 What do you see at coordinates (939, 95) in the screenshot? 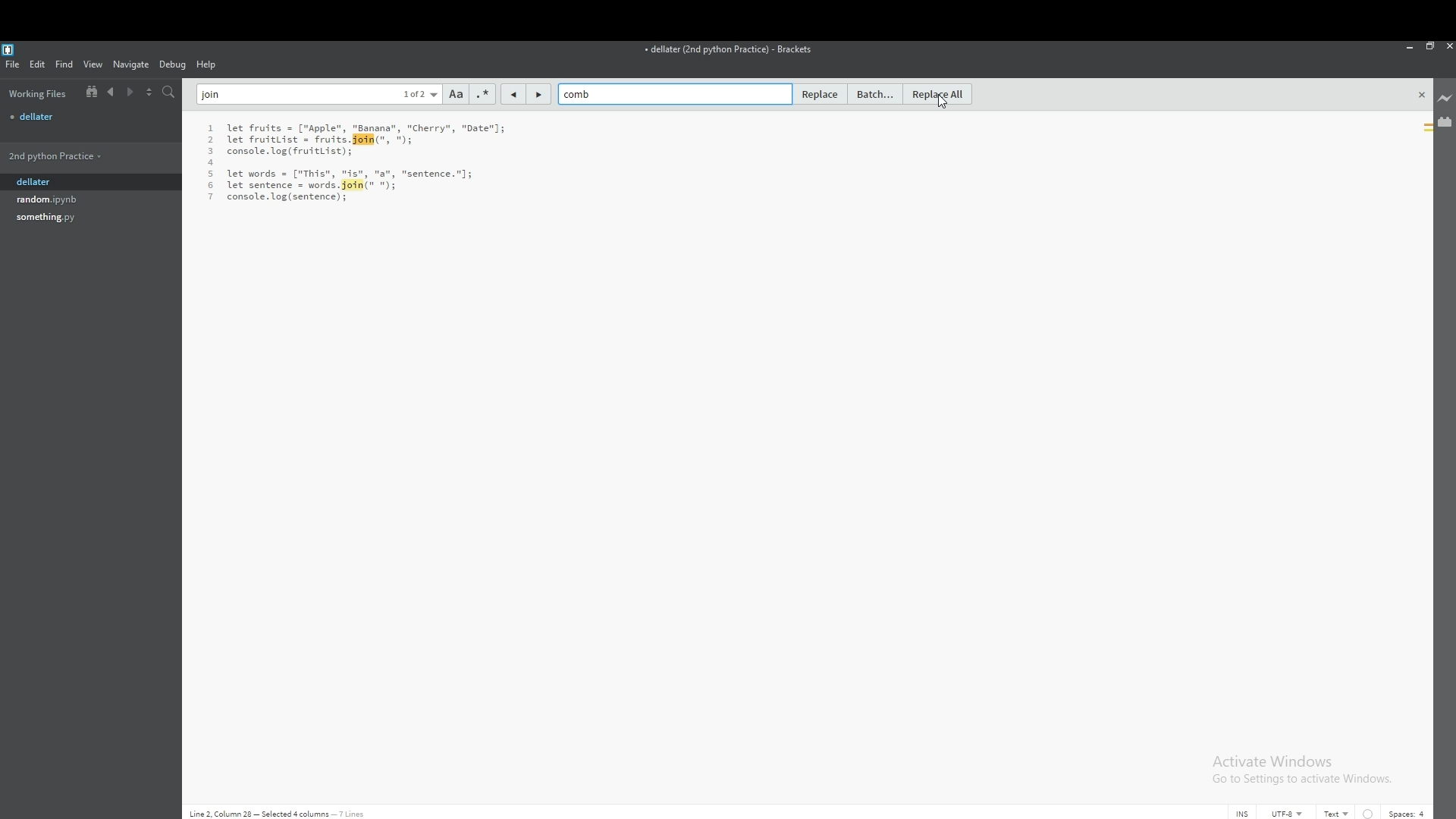
I see `replace all` at bounding box center [939, 95].